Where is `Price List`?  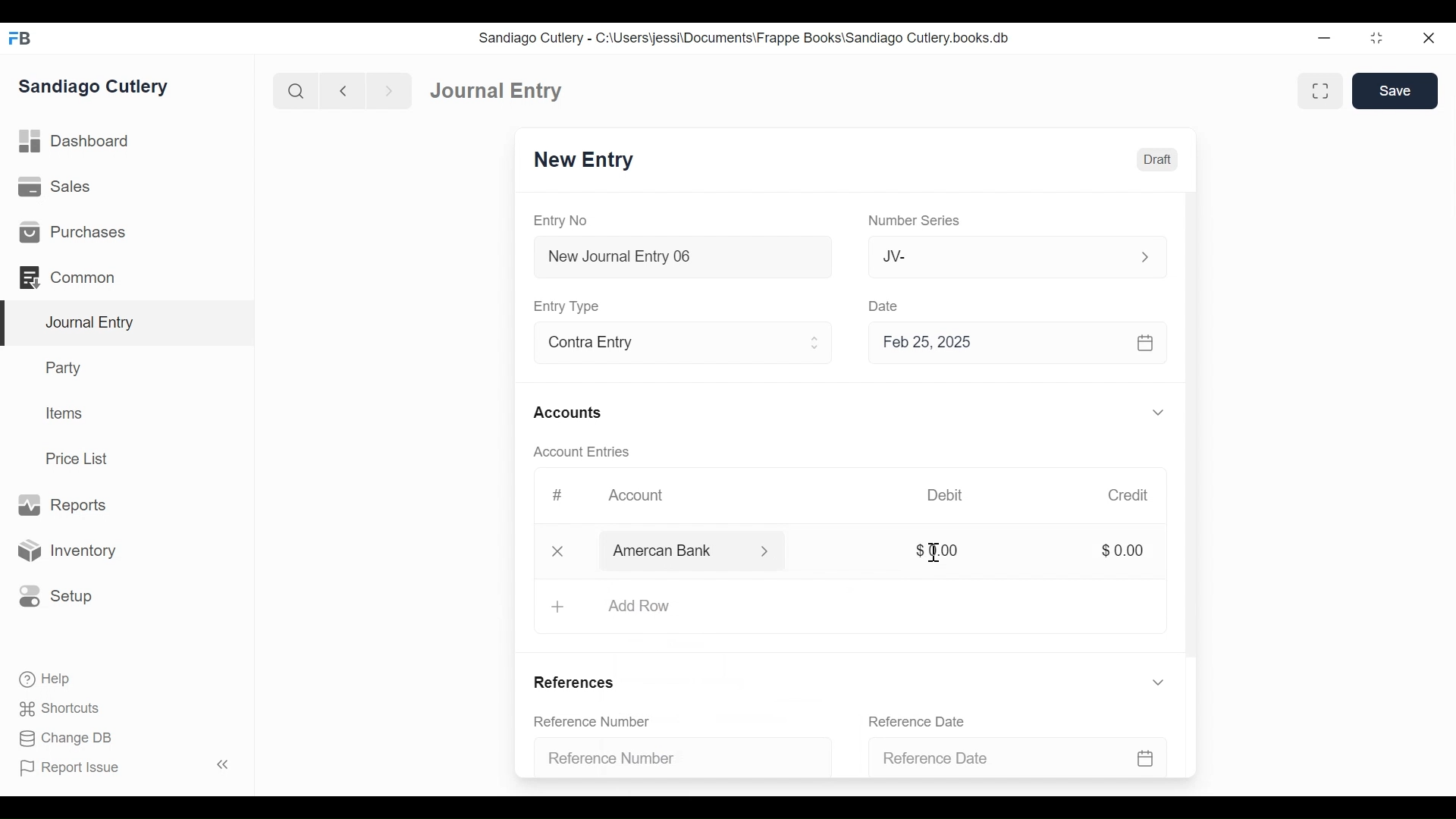
Price List is located at coordinates (82, 459).